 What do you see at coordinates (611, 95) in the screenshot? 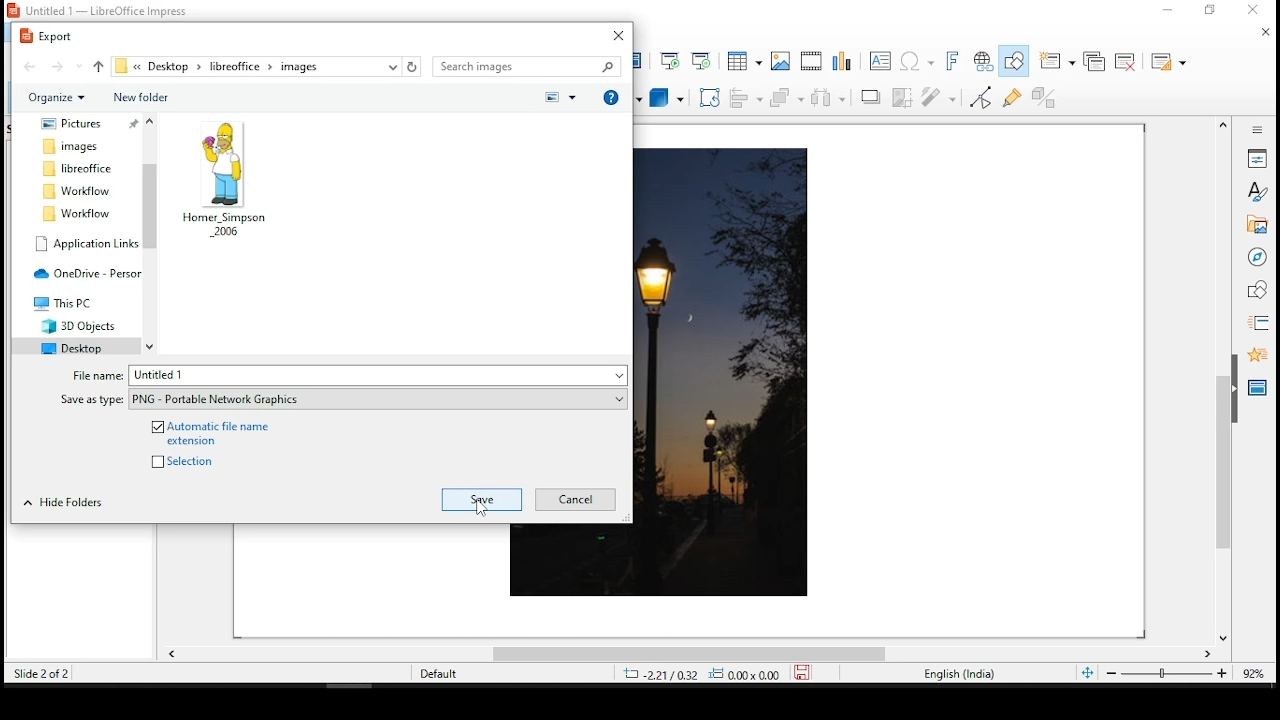
I see `get help` at bounding box center [611, 95].